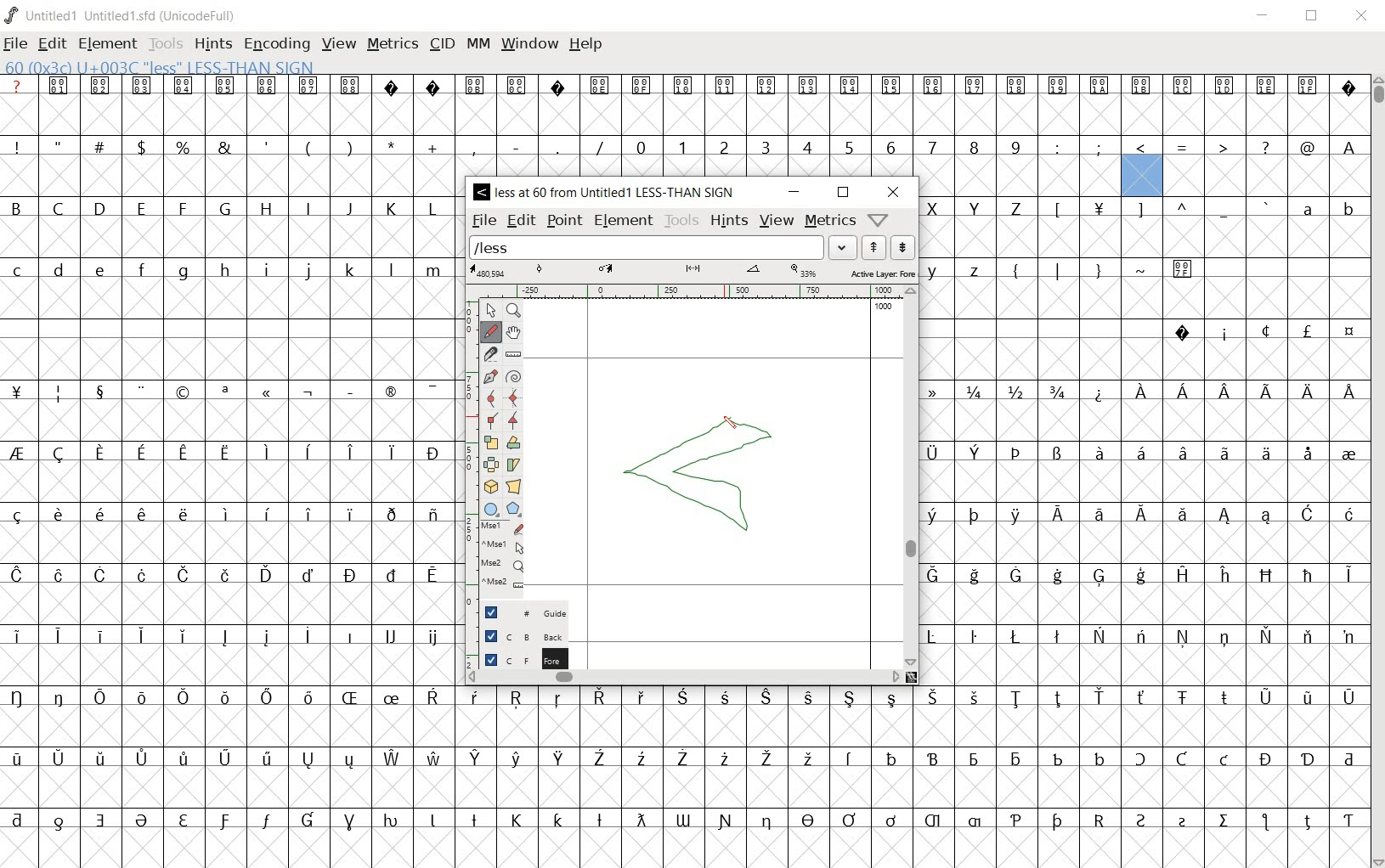 The height and width of the screenshot is (868, 1385). What do you see at coordinates (232, 357) in the screenshot?
I see `empty cells` at bounding box center [232, 357].